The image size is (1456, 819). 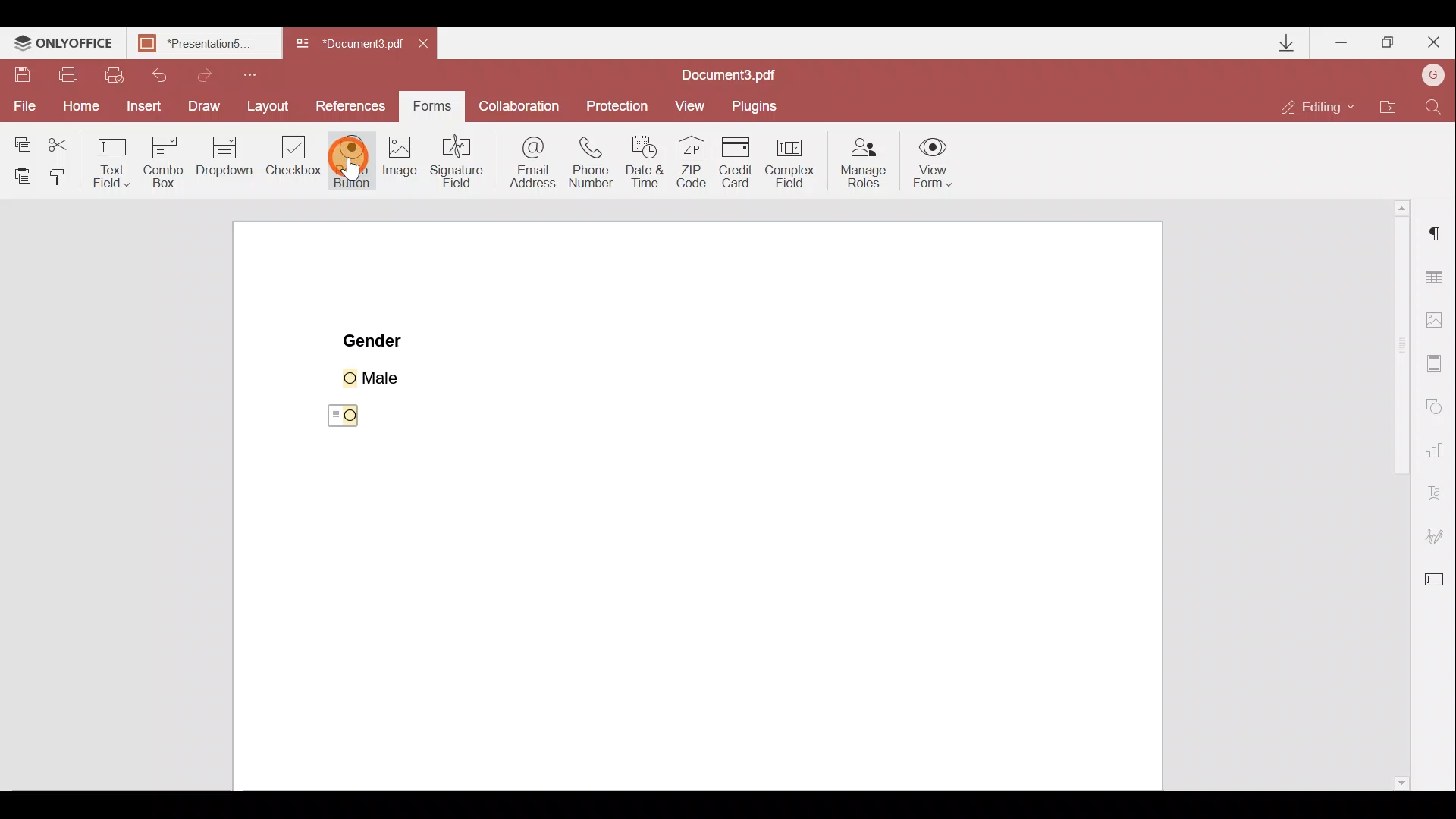 What do you see at coordinates (1438, 408) in the screenshot?
I see `Shapes settings` at bounding box center [1438, 408].